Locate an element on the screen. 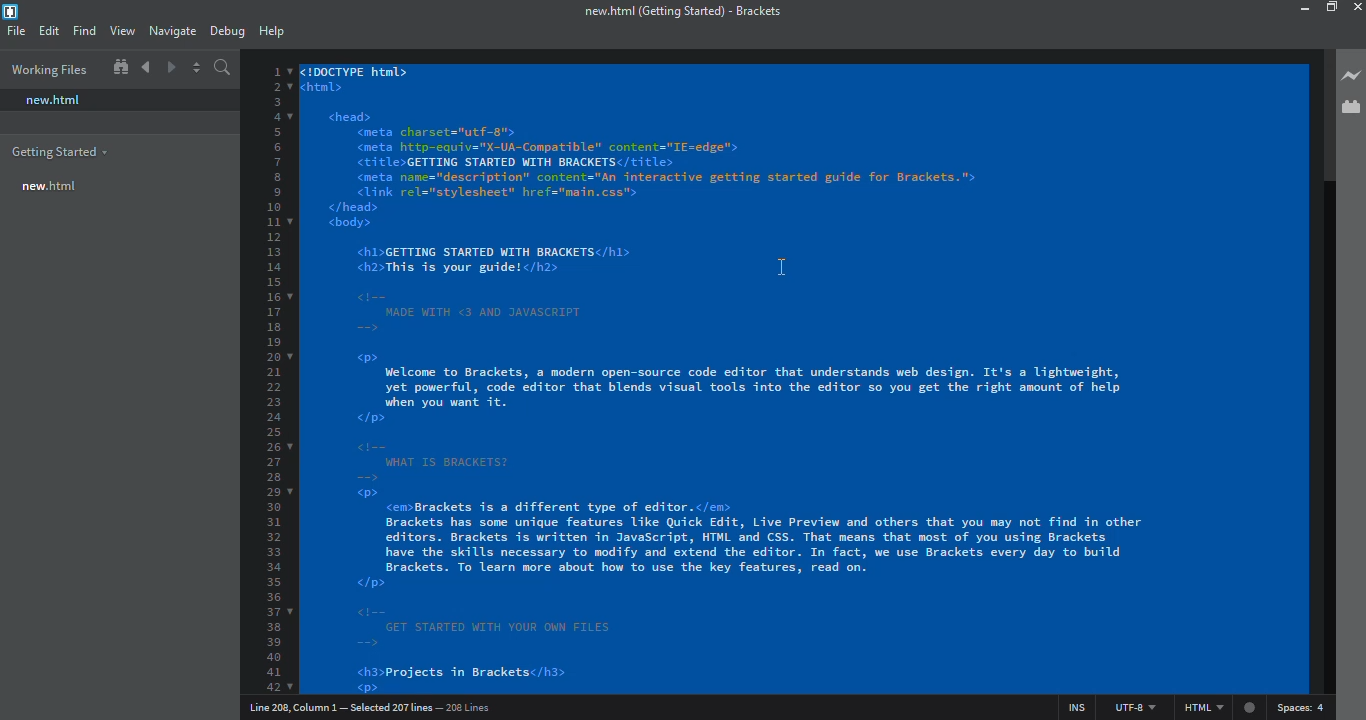 This screenshot has width=1366, height=720. search is located at coordinates (223, 69).